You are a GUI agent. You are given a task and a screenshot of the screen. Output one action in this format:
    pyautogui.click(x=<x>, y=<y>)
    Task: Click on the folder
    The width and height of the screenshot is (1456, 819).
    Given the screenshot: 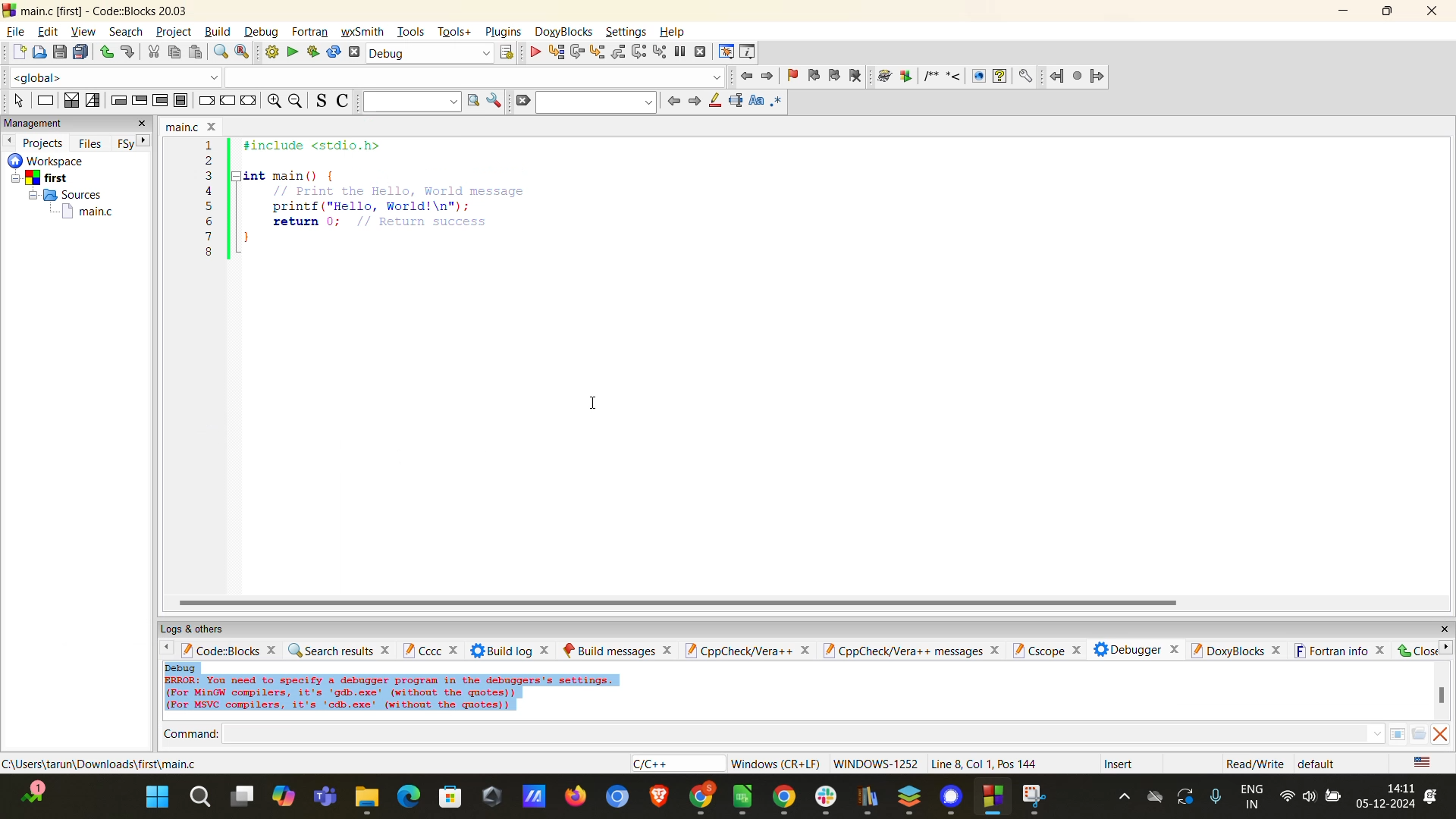 What is the action you would take?
    pyautogui.click(x=1419, y=736)
    